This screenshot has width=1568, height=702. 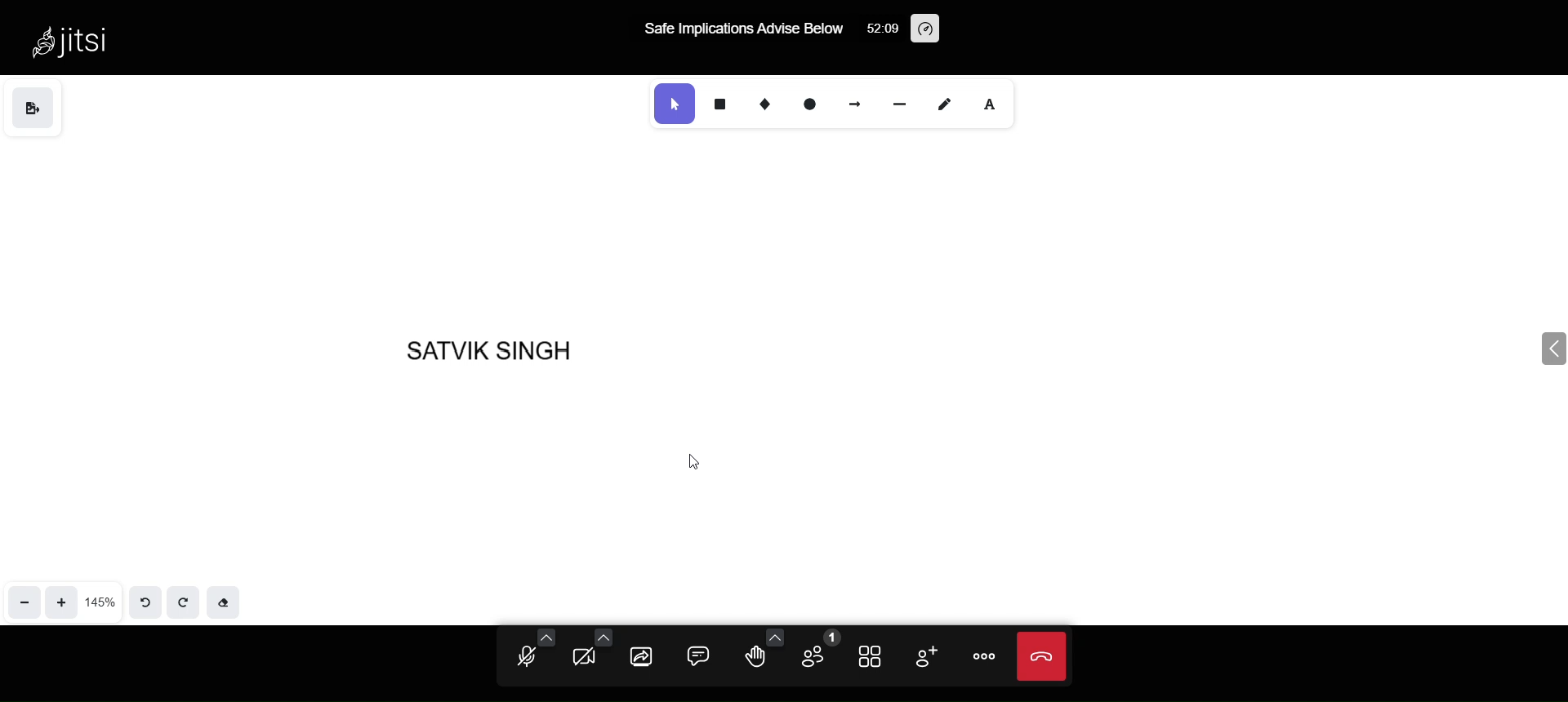 What do you see at coordinates (518, 660) in the screenshot?
I see `unmute mic` at bounding box center [518, 660].